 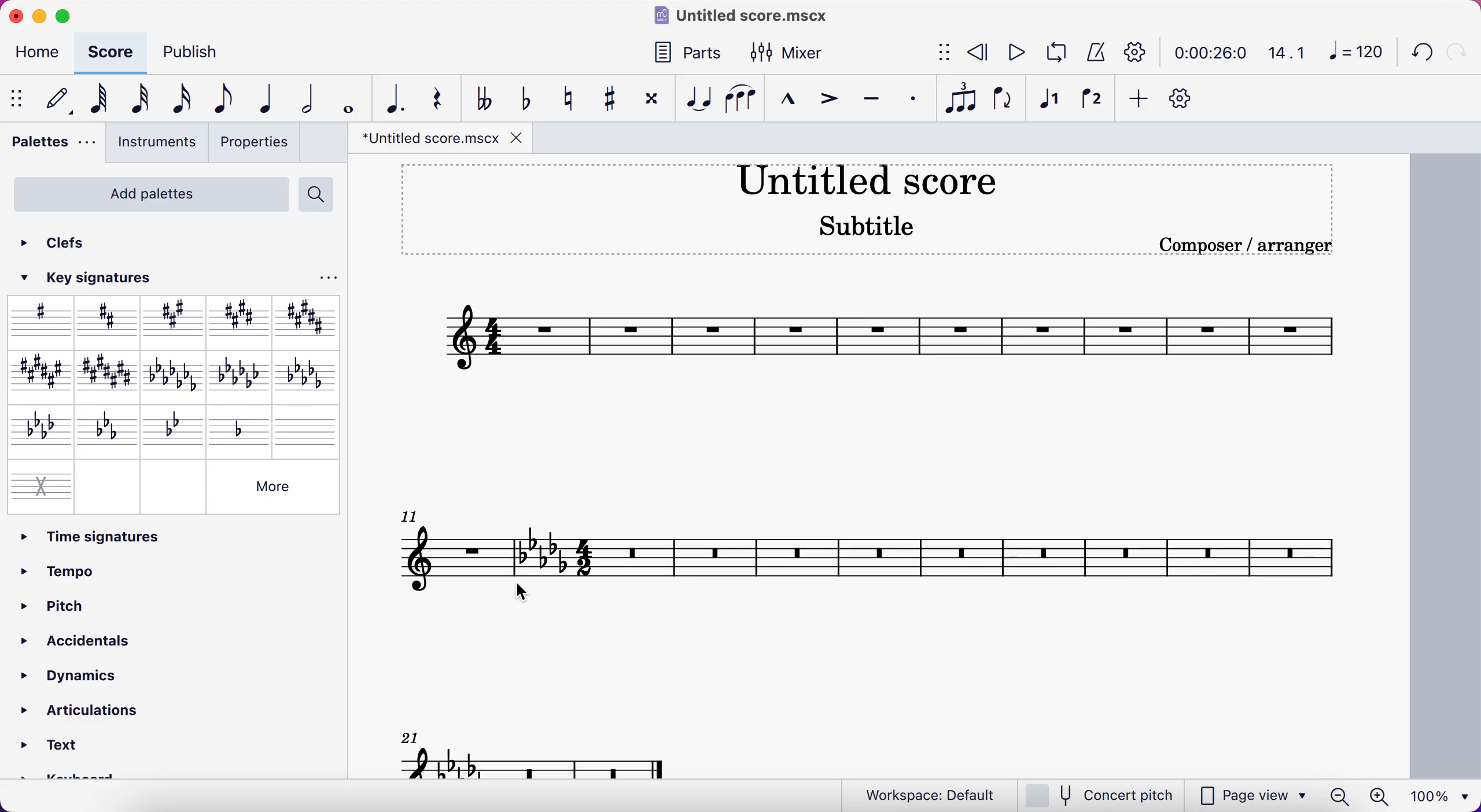 What do you see at coordinates (52, 149) in the screenshot?
I see `palettes` at bounding box center [52, 149].